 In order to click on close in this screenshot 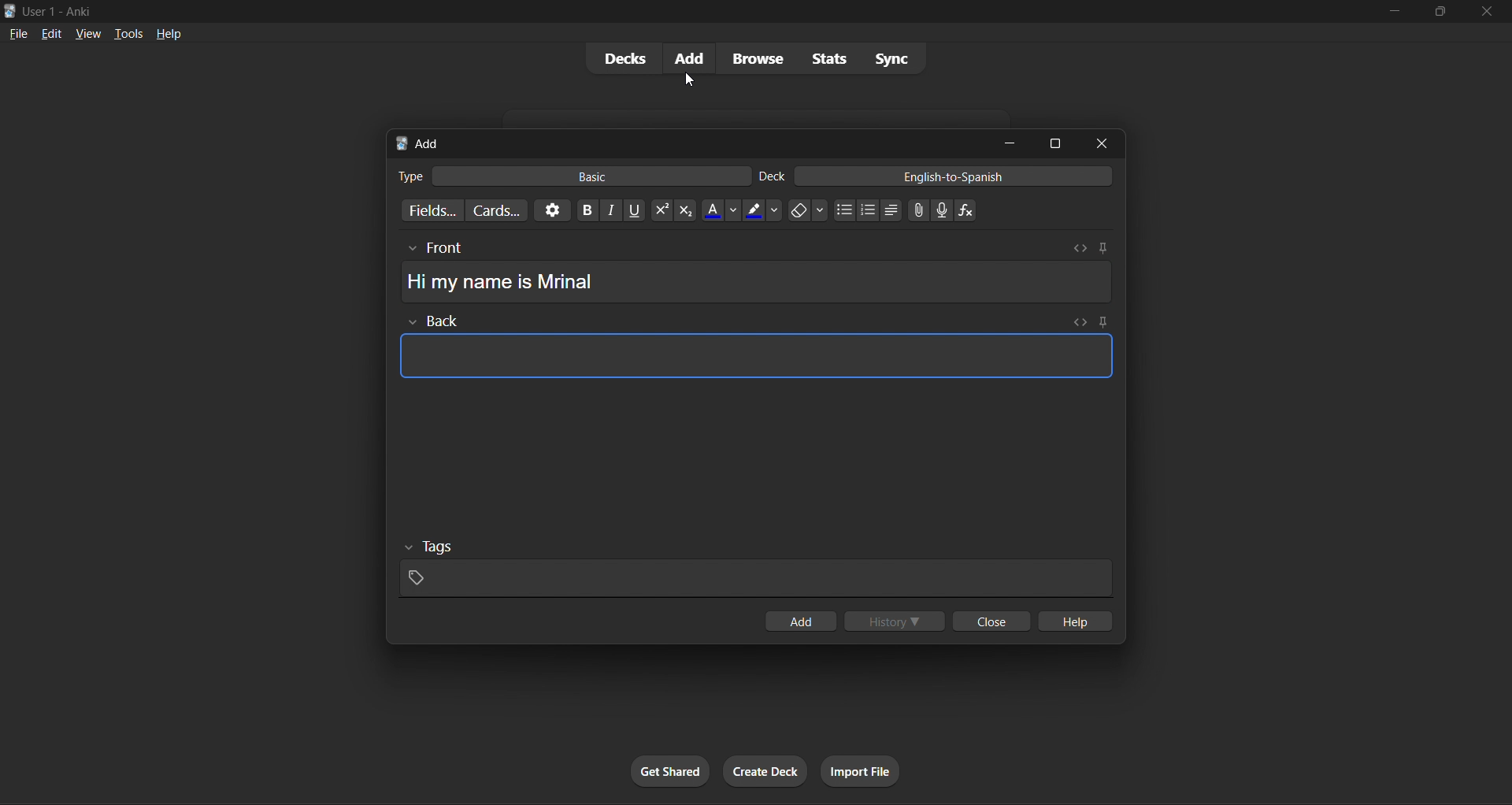, I will do `click(988, 623)`.